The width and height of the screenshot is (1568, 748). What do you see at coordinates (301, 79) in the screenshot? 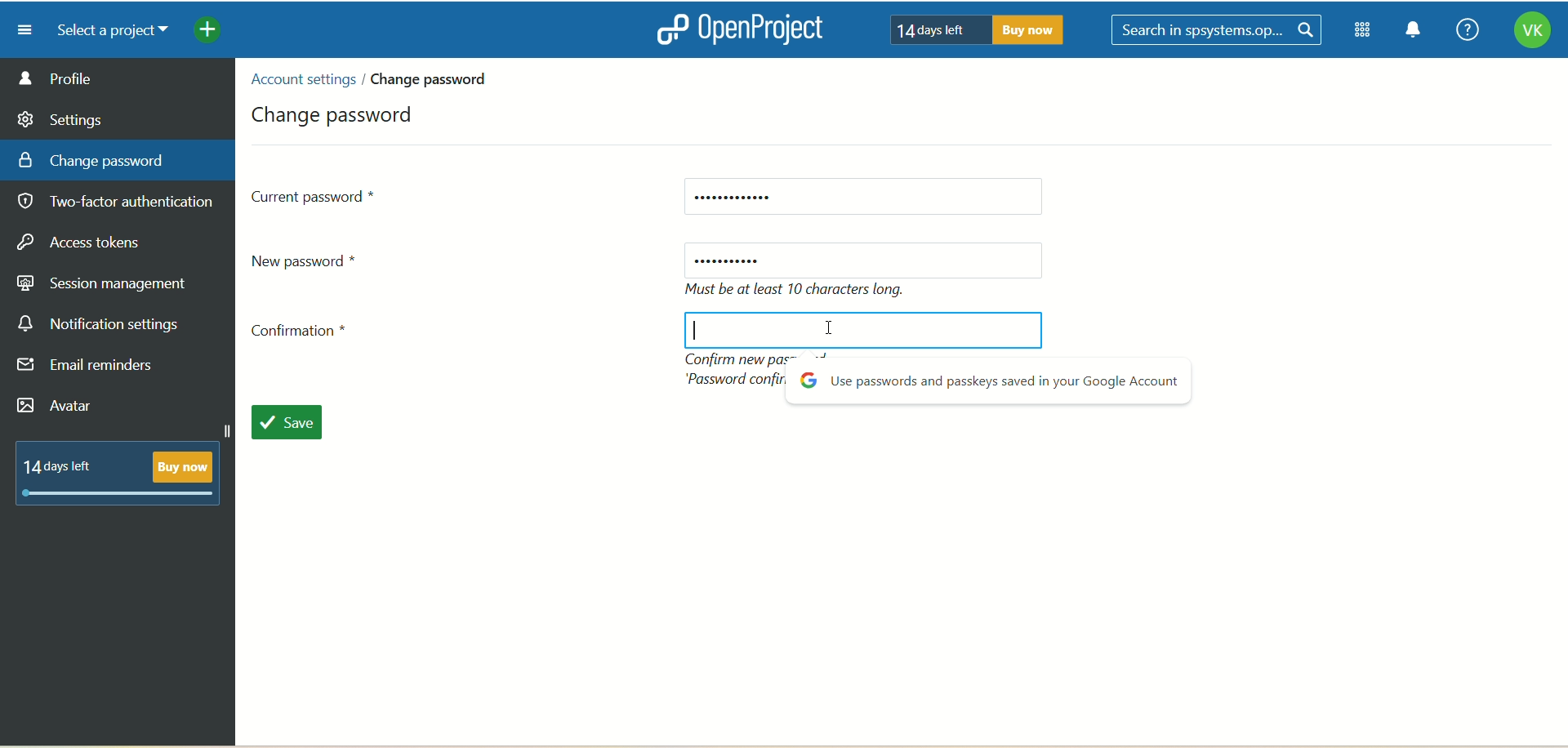
I see `account settings` at bounding box center [301, 79].